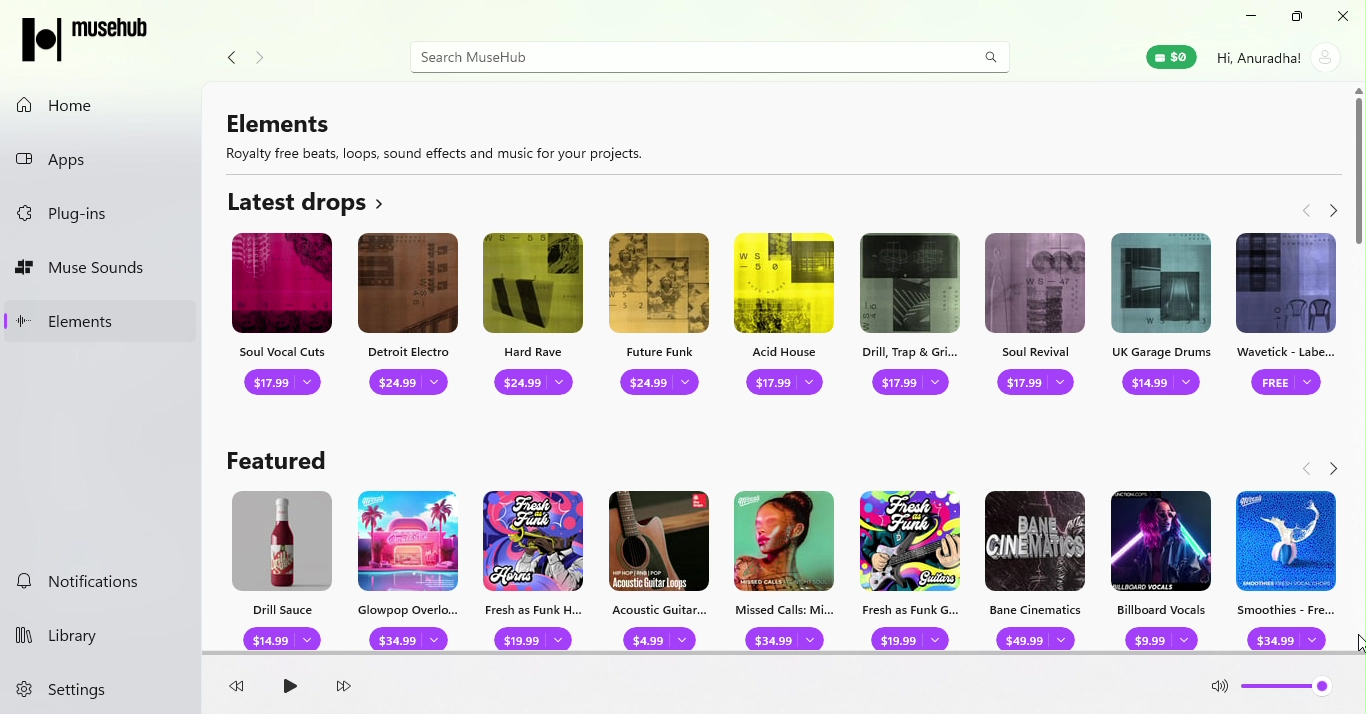 This screenshot has width=1366, height=714. Describe the element at coordinates (1302, 208) in the screenshot. I see `Navigate back` at that location.